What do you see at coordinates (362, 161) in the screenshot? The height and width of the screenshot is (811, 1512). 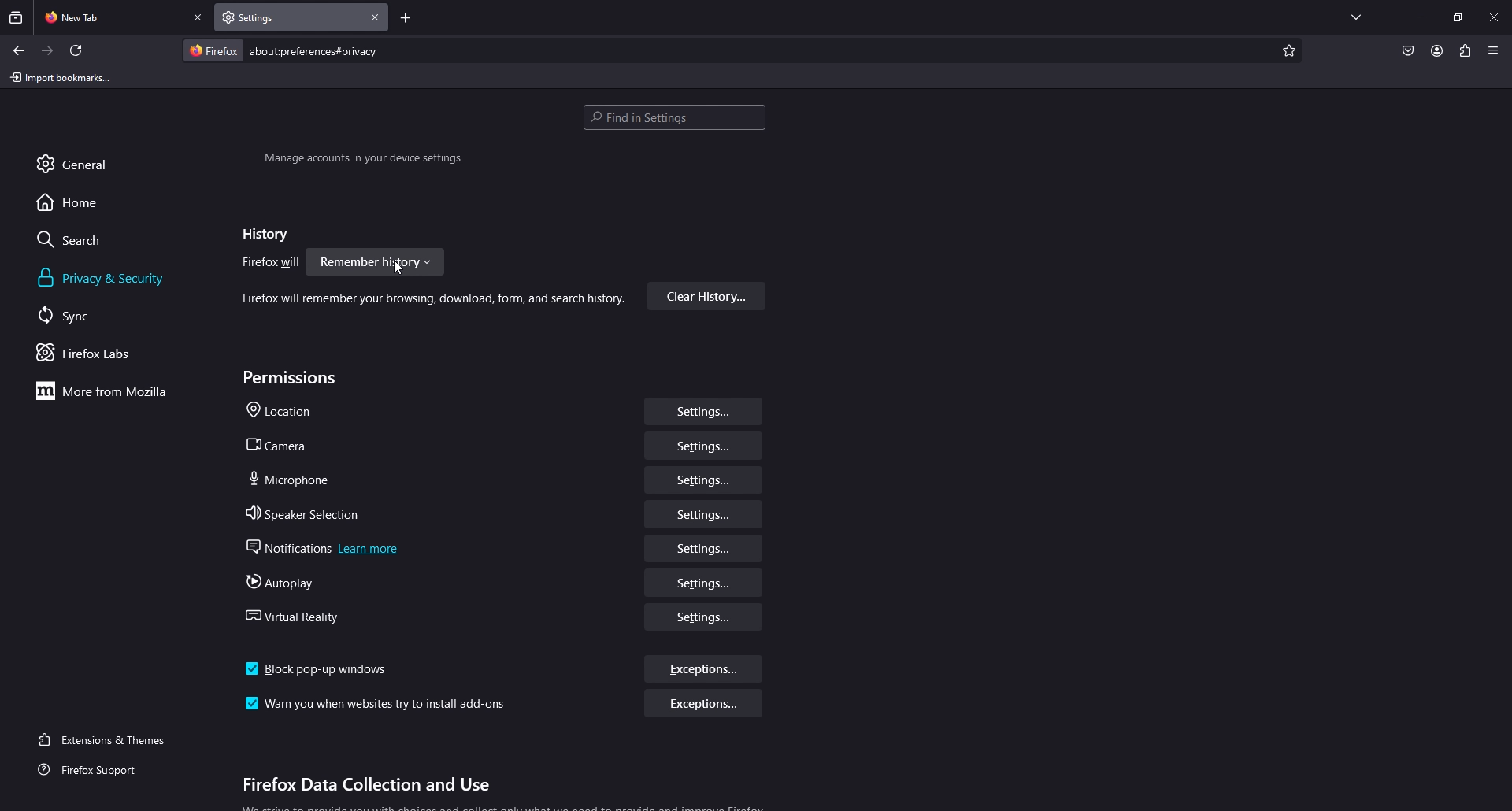 I see `Manage accounts in your device settings` at bounding box center [362, 161].